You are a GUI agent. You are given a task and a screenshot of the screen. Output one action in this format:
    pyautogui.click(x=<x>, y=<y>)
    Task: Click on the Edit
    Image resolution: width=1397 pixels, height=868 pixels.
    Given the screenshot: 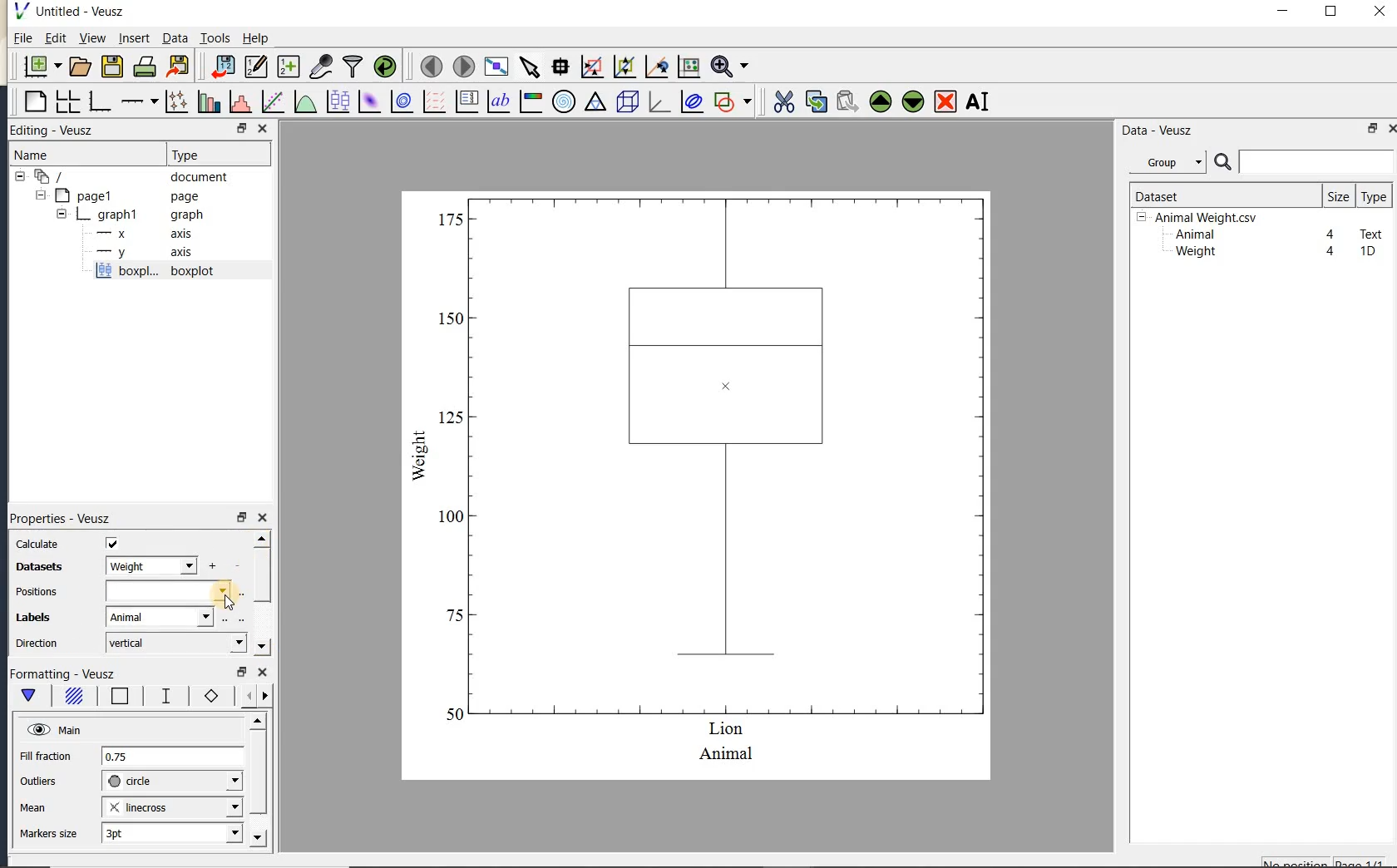 What is the action you would take?
    pyautogui.click(x=52, y=40)
    